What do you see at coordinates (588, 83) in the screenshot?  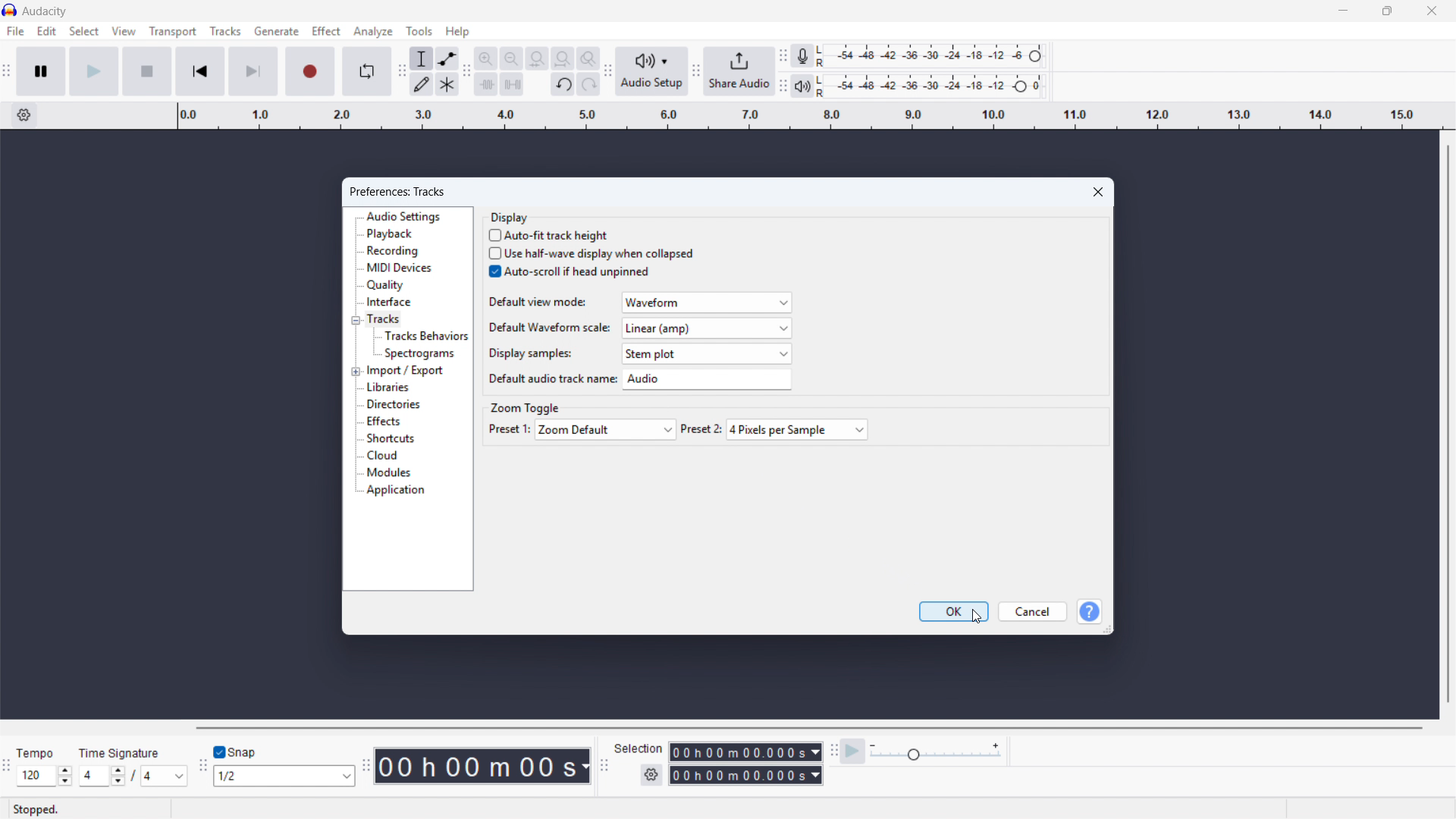 I see `redo` at bounding box center [588, 83].